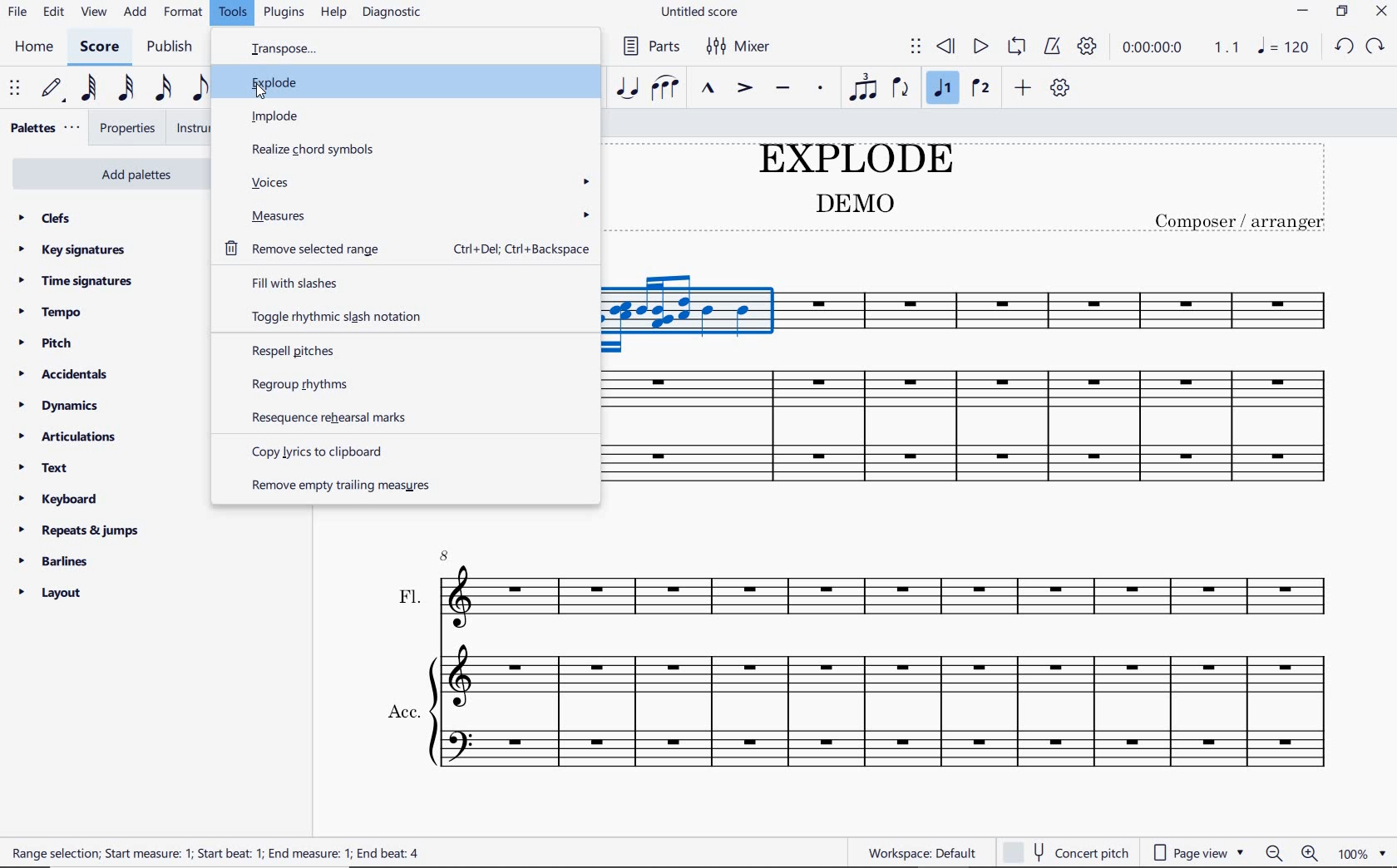 The width and height of the screenshot is (1397, 868). What do you see at coordinates (916, 850) in the screenshot?
I see `workspace: default` at bounding box center [916, 850].